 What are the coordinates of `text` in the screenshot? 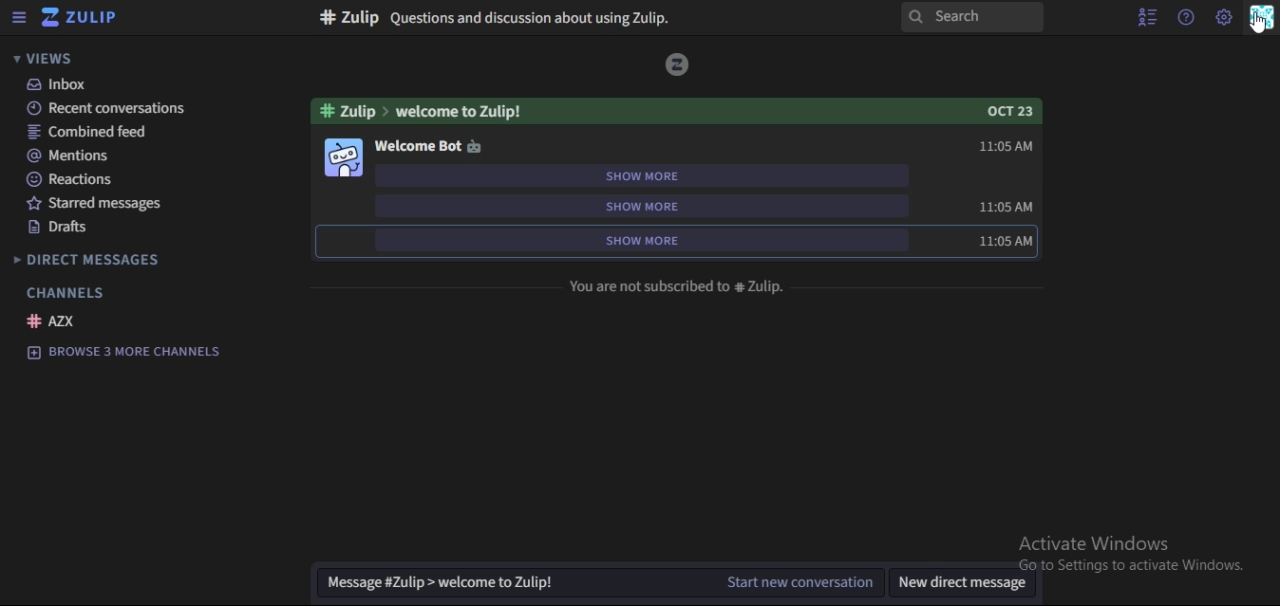 It's located at (677, 285).